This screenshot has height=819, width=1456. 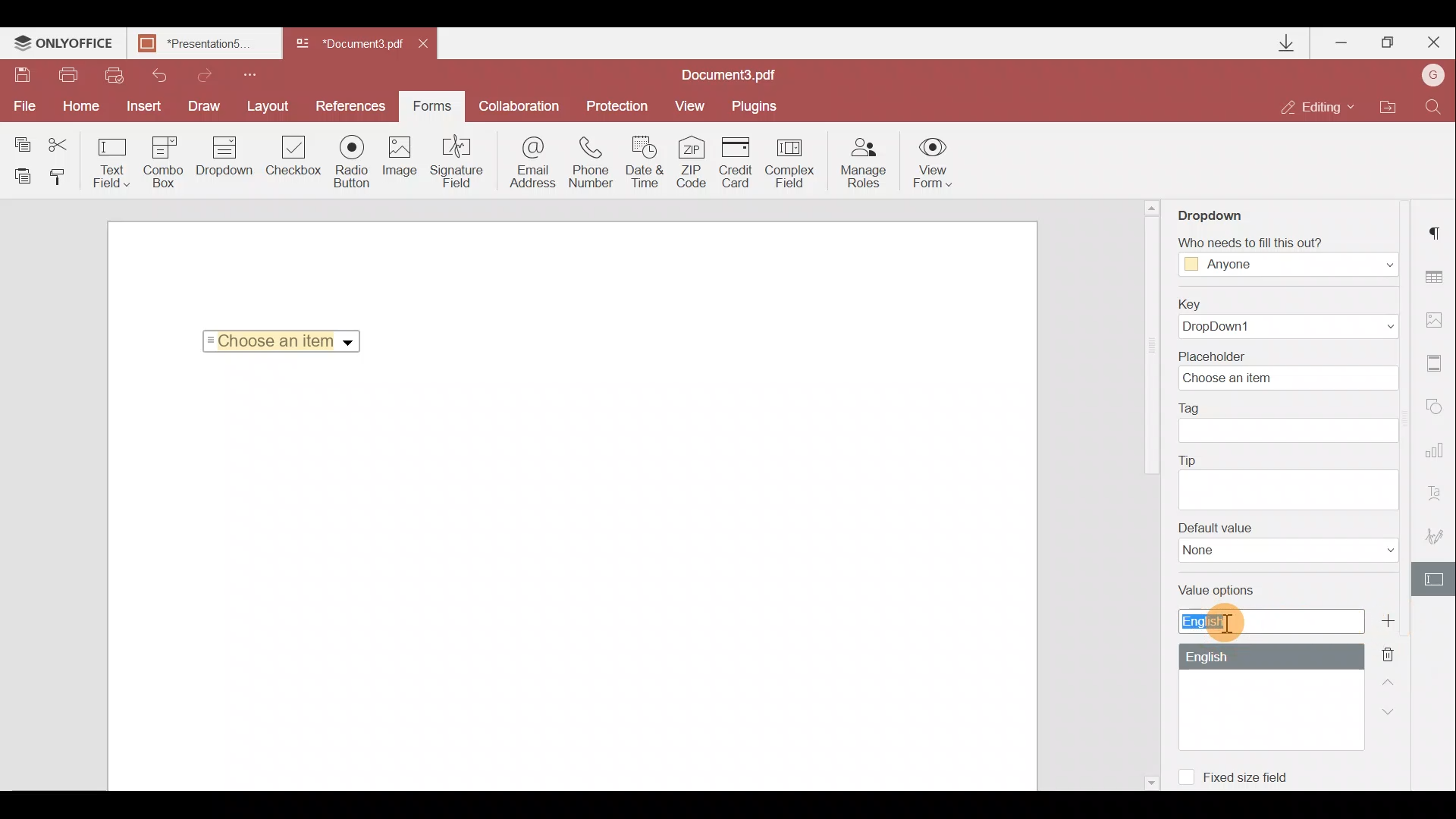 What do you see at coordinates (21, 77) in the screenshot?
I see `Save` at bounding box center [21, 77].